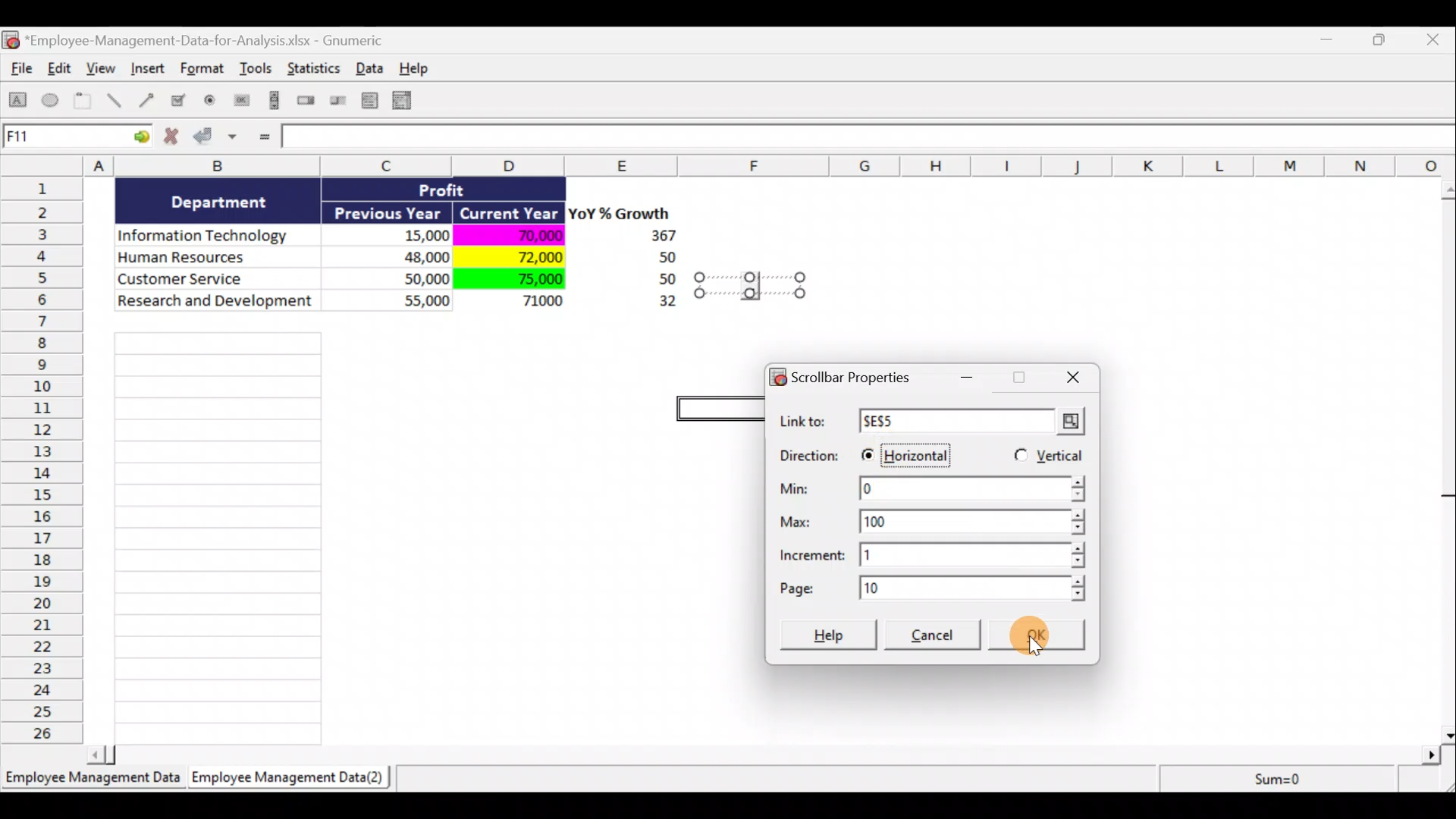  Describe the element at coordinates (930, 491) in the screenshot. I see `Minimum value` at that location.